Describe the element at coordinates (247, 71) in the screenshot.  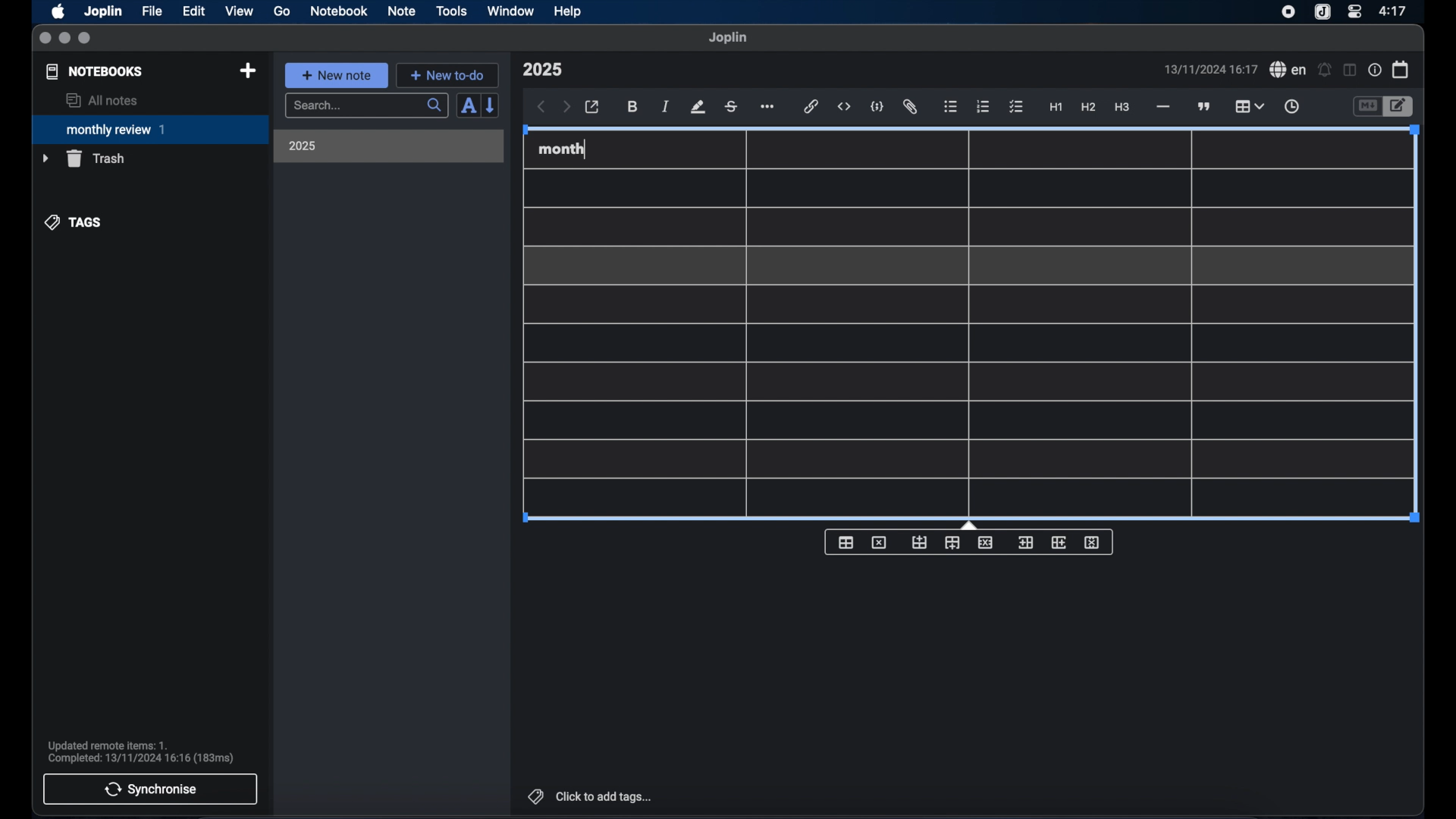
I see `new notebook` at that location.